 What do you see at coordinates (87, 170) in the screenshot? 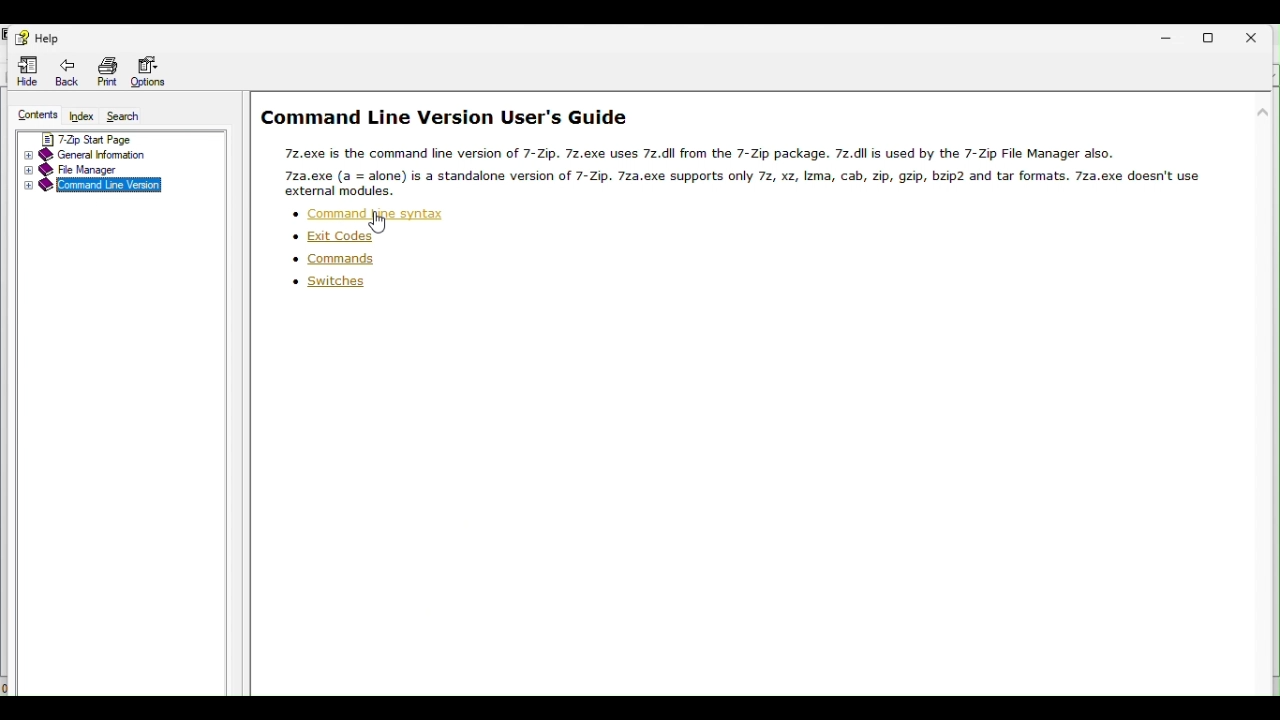
I see `File manager` at bounding box center [87, 170].